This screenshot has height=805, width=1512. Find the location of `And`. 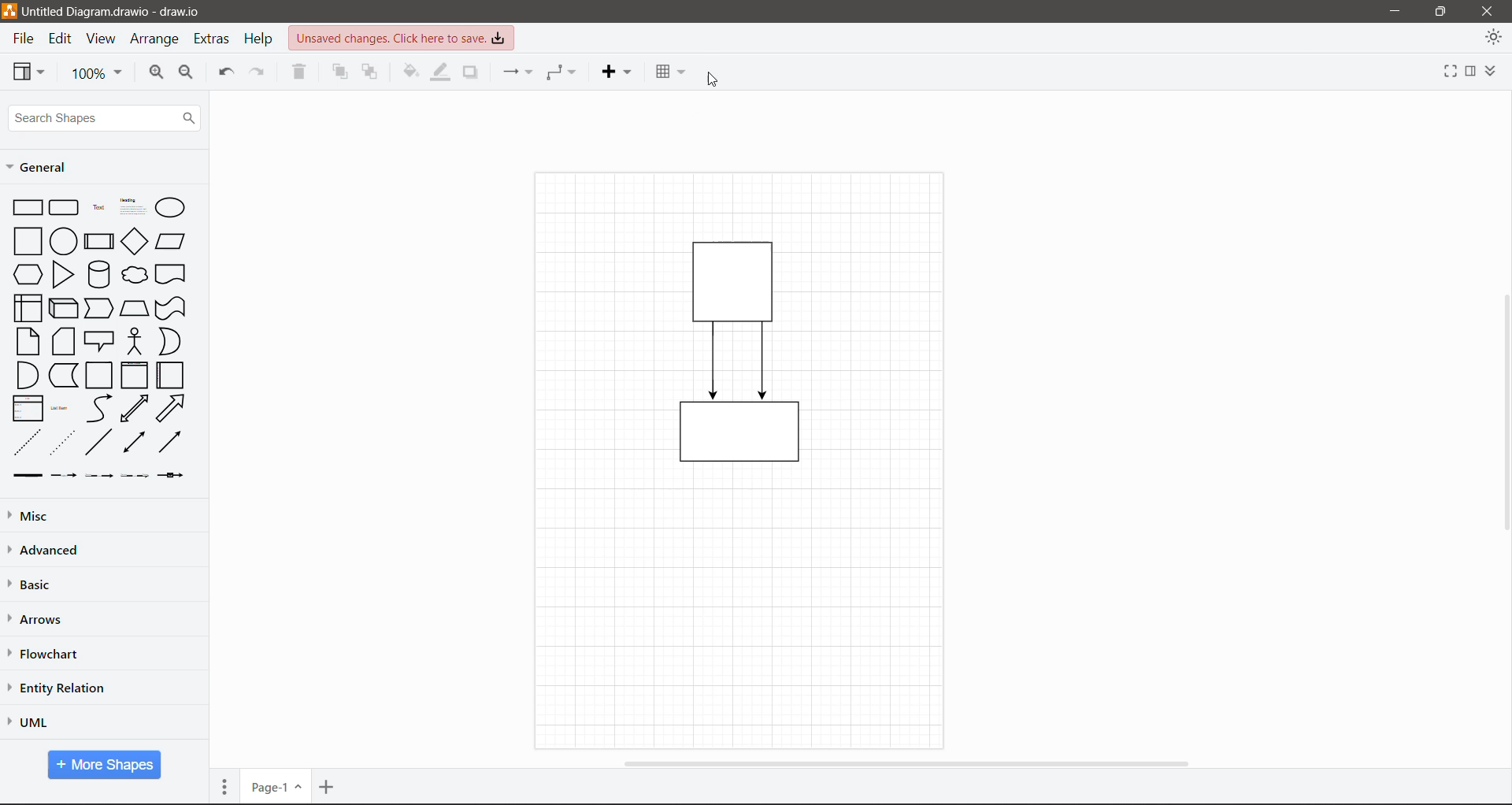

And is located at coordinates (26, 375).